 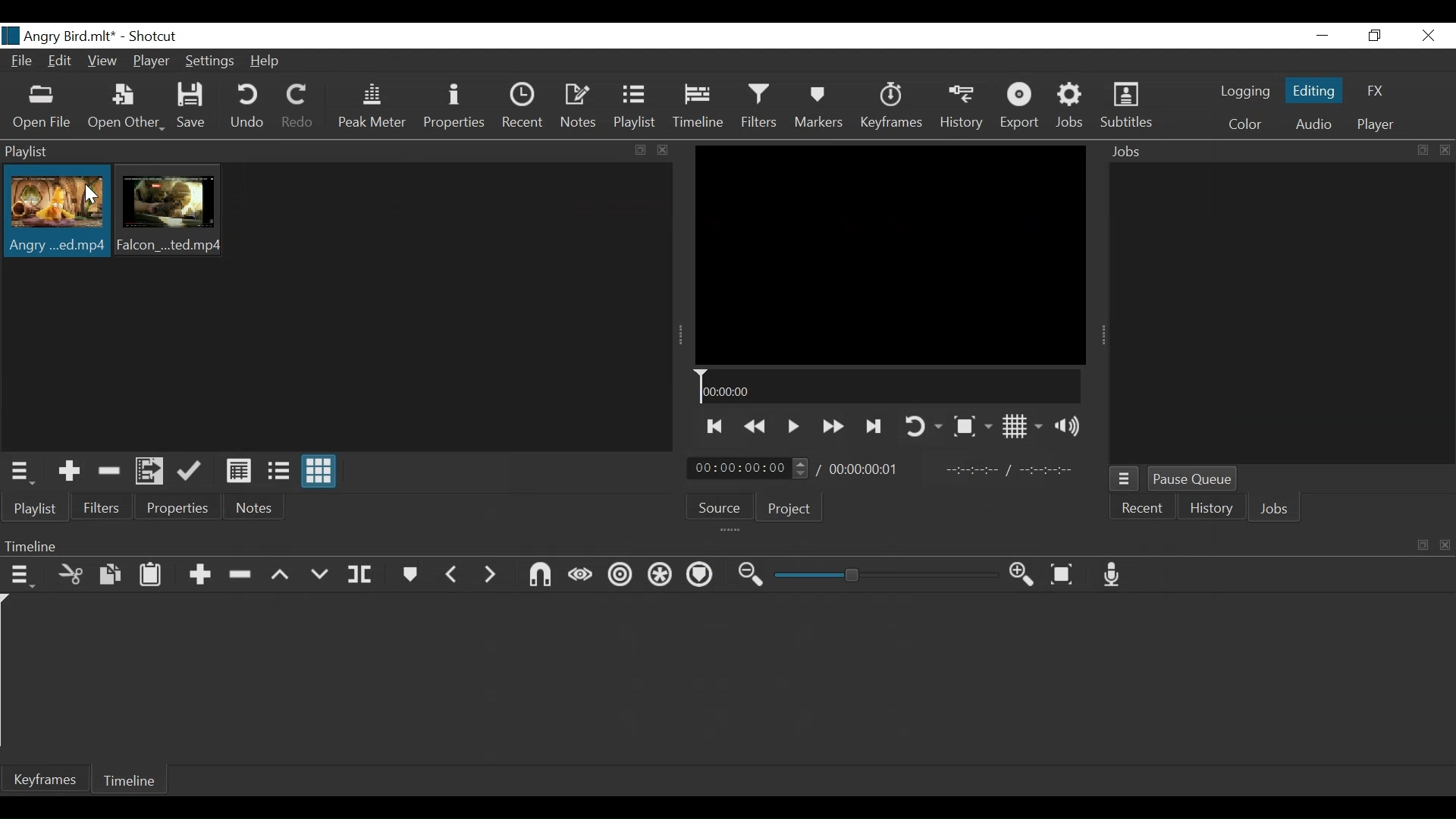 I want to click on Toggle display grid on player, so click(x=1023, y=427).